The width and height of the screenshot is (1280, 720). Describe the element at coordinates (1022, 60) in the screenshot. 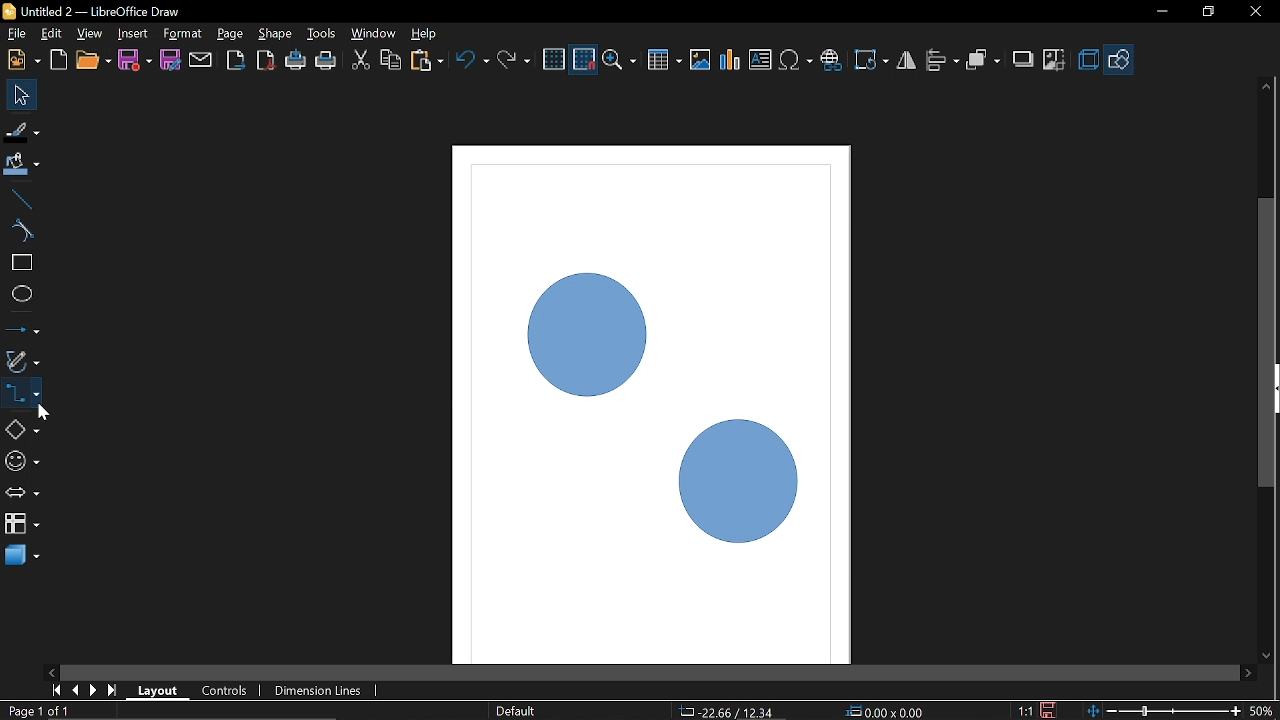

I see `Shadow` at that location.